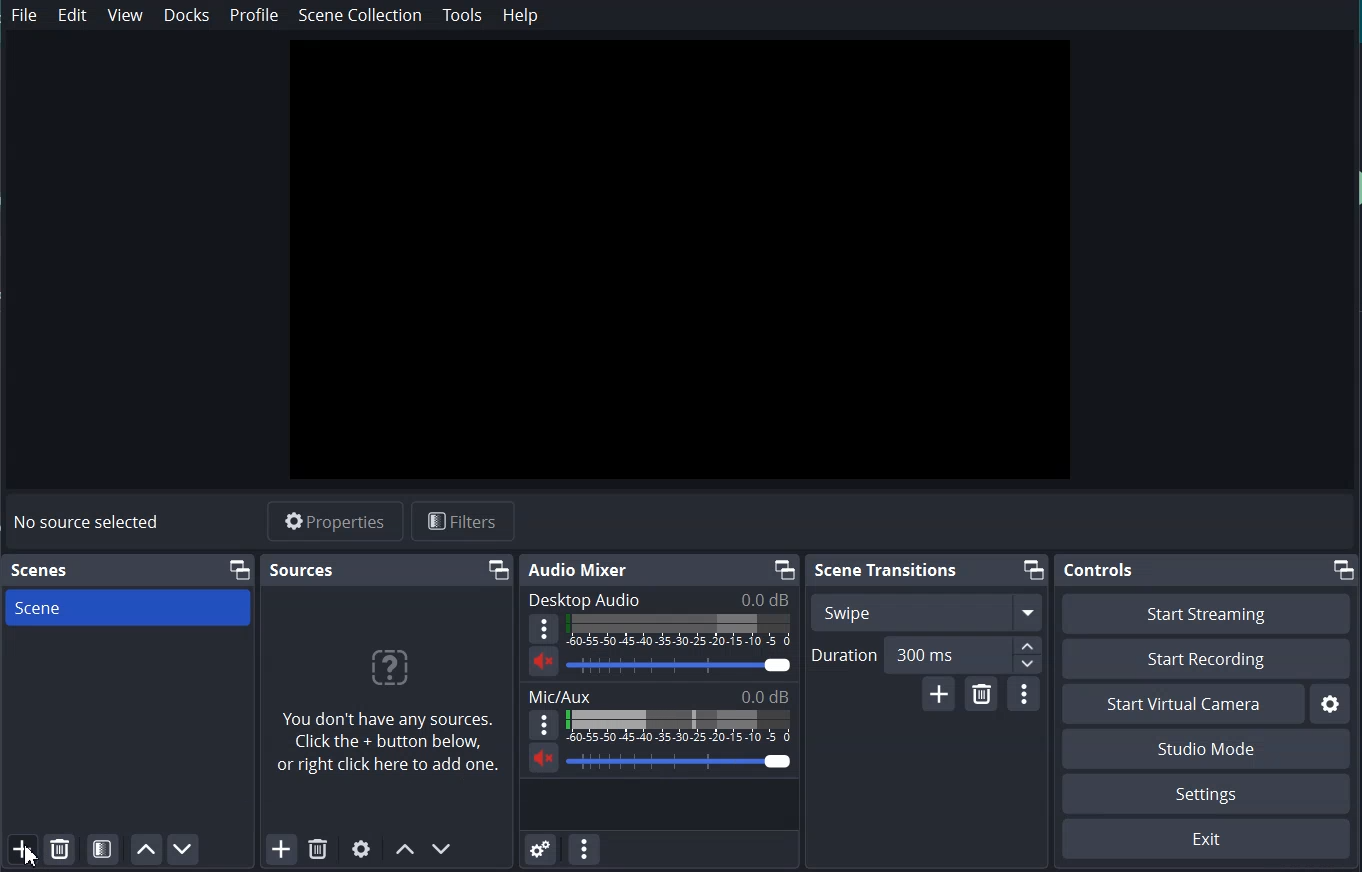 Image resolution: width=1362 pixels, height=872 pixels. Describe the element at coordinates (127, 15) in the screenshot. I see `View` at that location.